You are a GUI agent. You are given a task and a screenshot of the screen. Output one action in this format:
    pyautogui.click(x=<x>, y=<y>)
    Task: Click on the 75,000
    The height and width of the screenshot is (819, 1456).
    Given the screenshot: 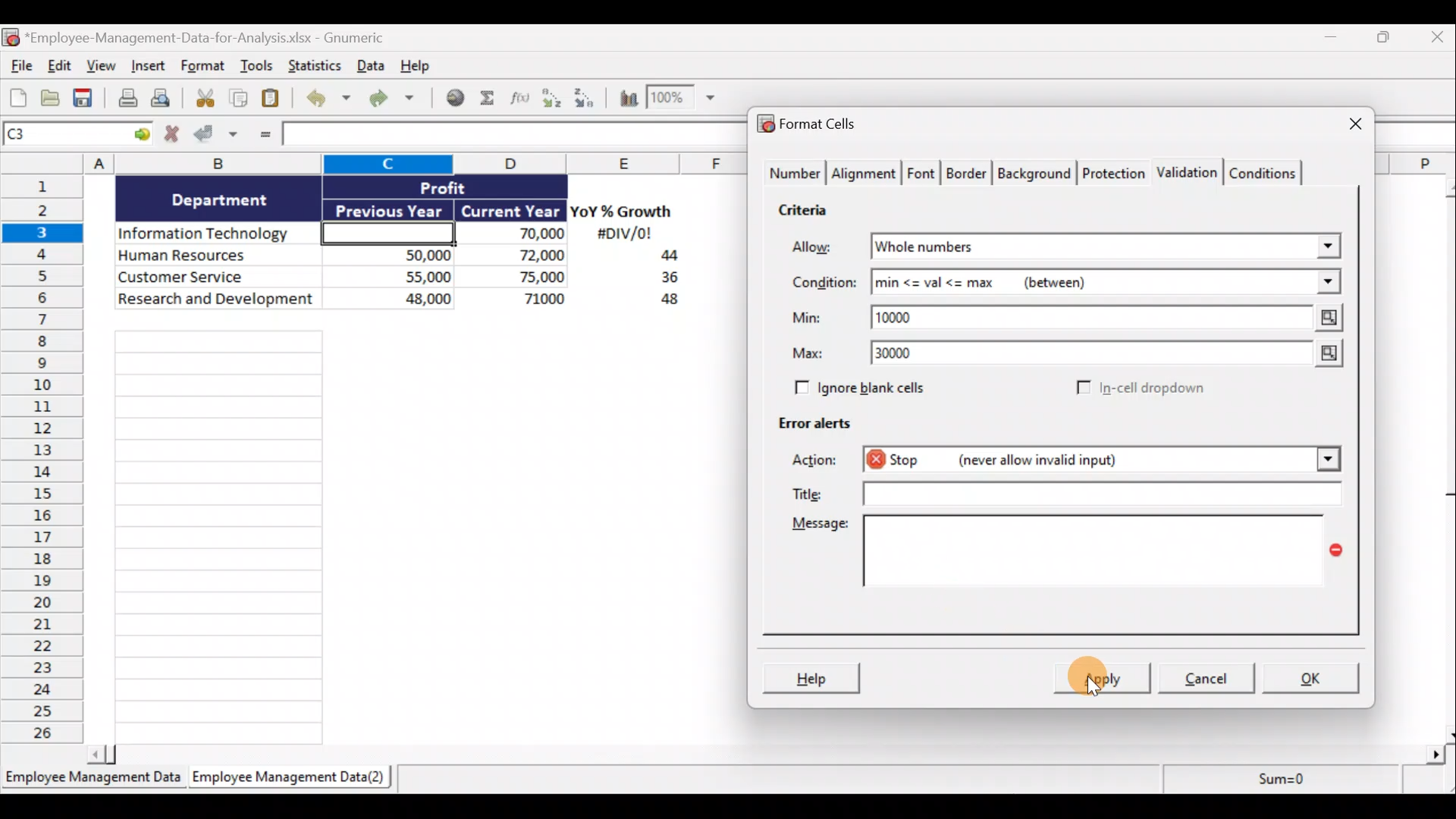 What is the action you would take?
    pyautogui.click(x=519, y=278)
    